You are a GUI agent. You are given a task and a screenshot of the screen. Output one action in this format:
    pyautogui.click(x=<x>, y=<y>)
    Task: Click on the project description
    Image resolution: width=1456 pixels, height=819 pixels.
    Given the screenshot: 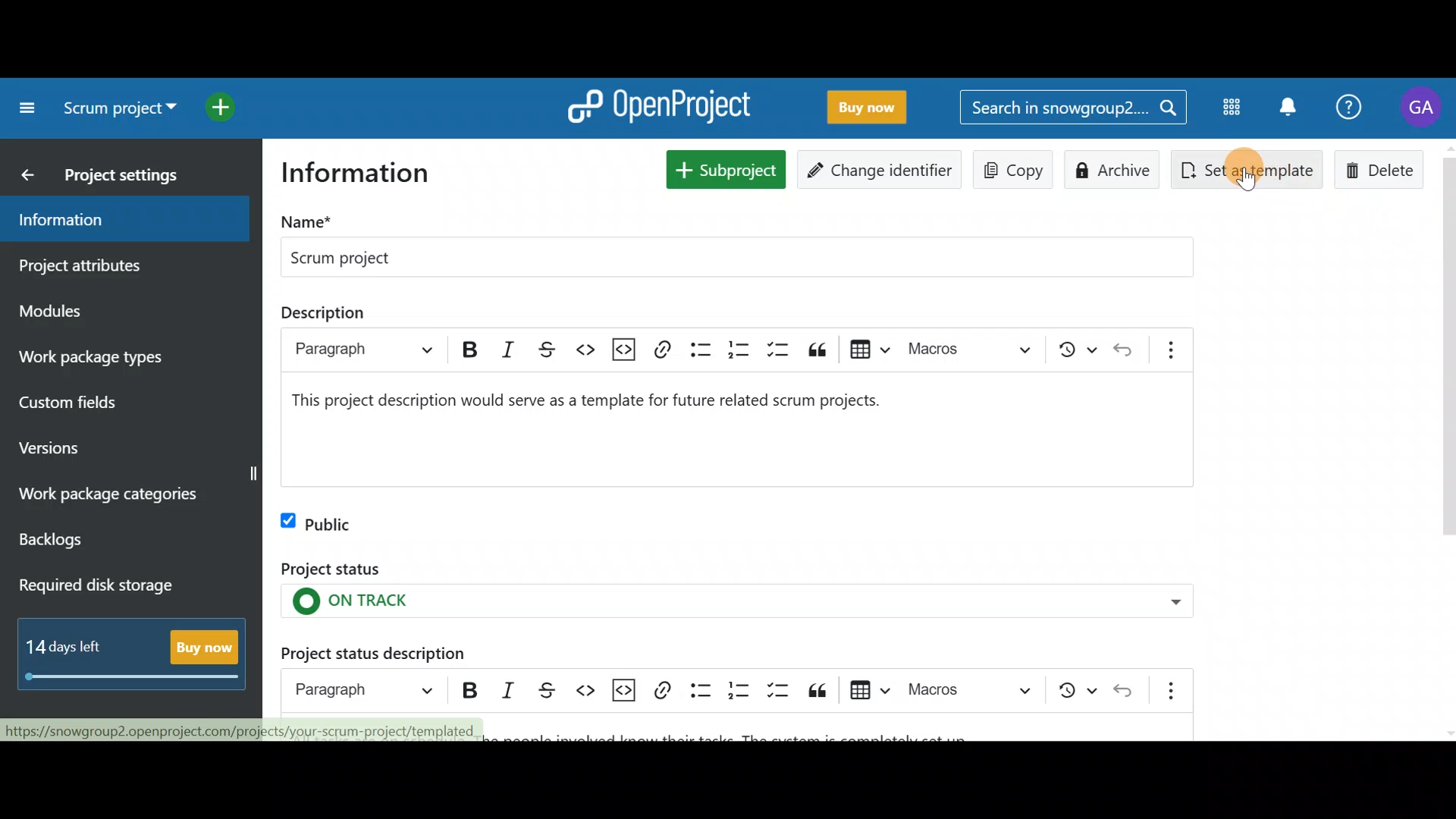 What is the action you would take?
    pyautogui.click(x=602, y=407)
    